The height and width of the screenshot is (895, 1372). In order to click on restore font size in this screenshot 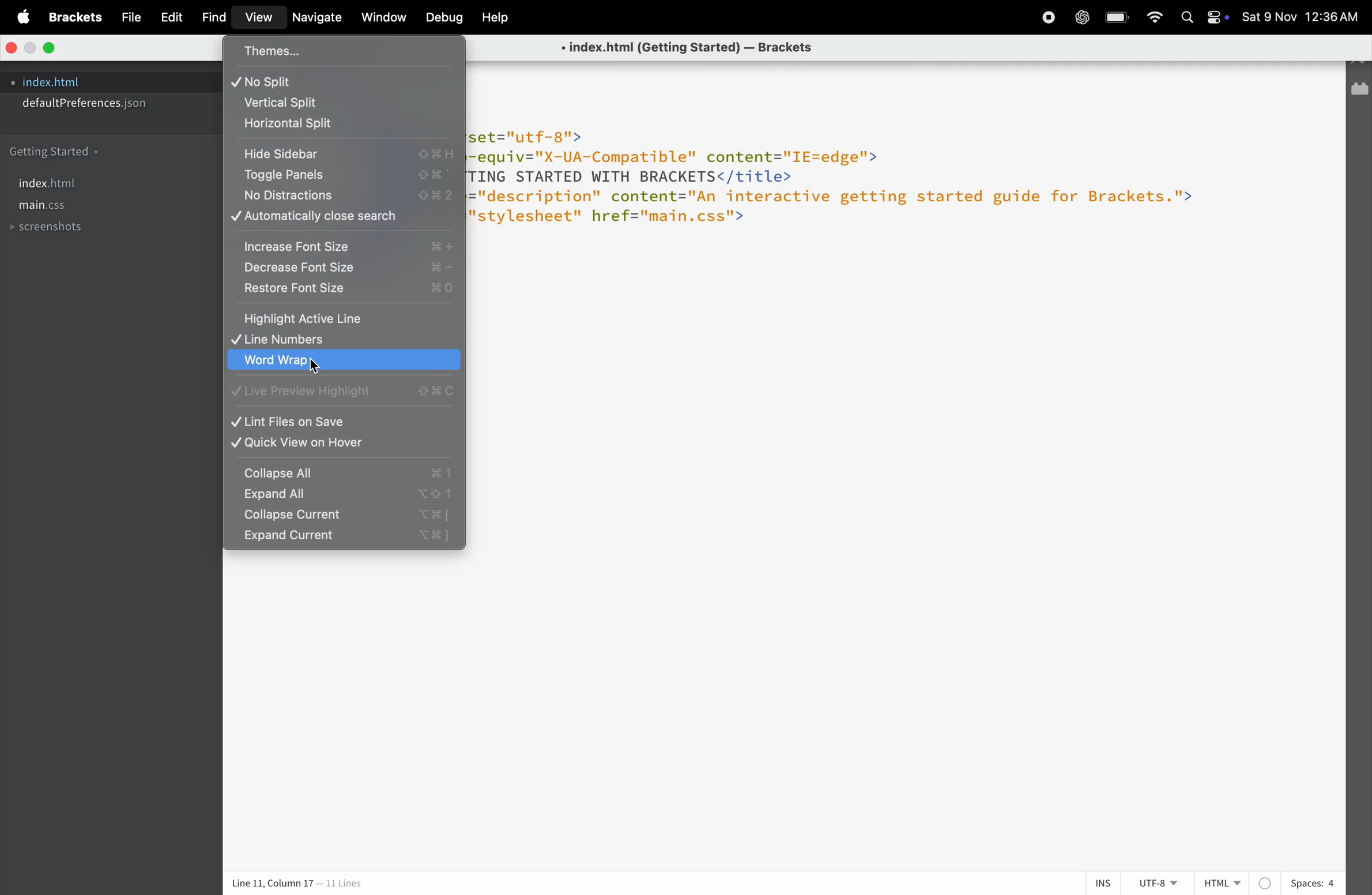, I will do `click(344, 292)`.